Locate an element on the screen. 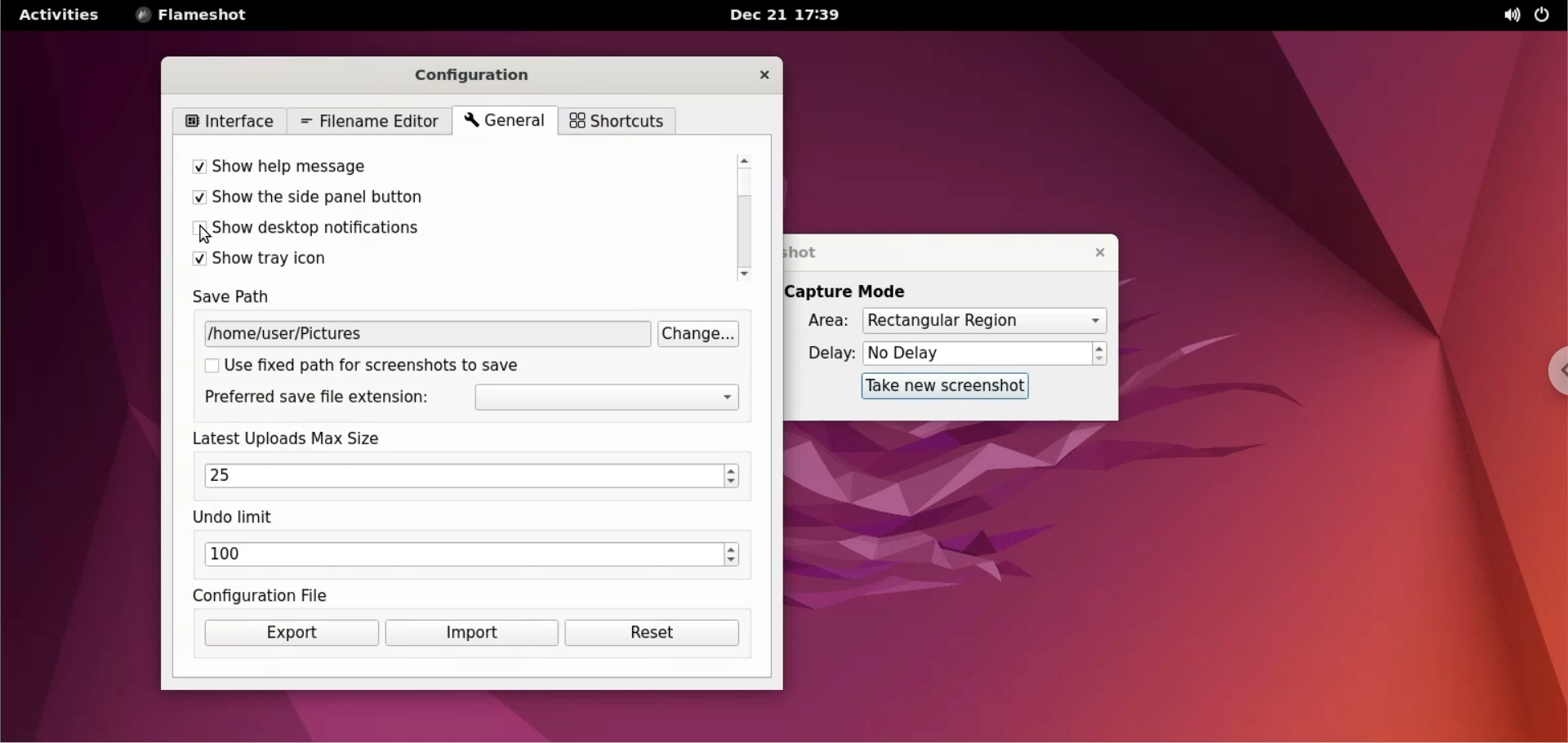  activities is located at coordinates (60, 14).